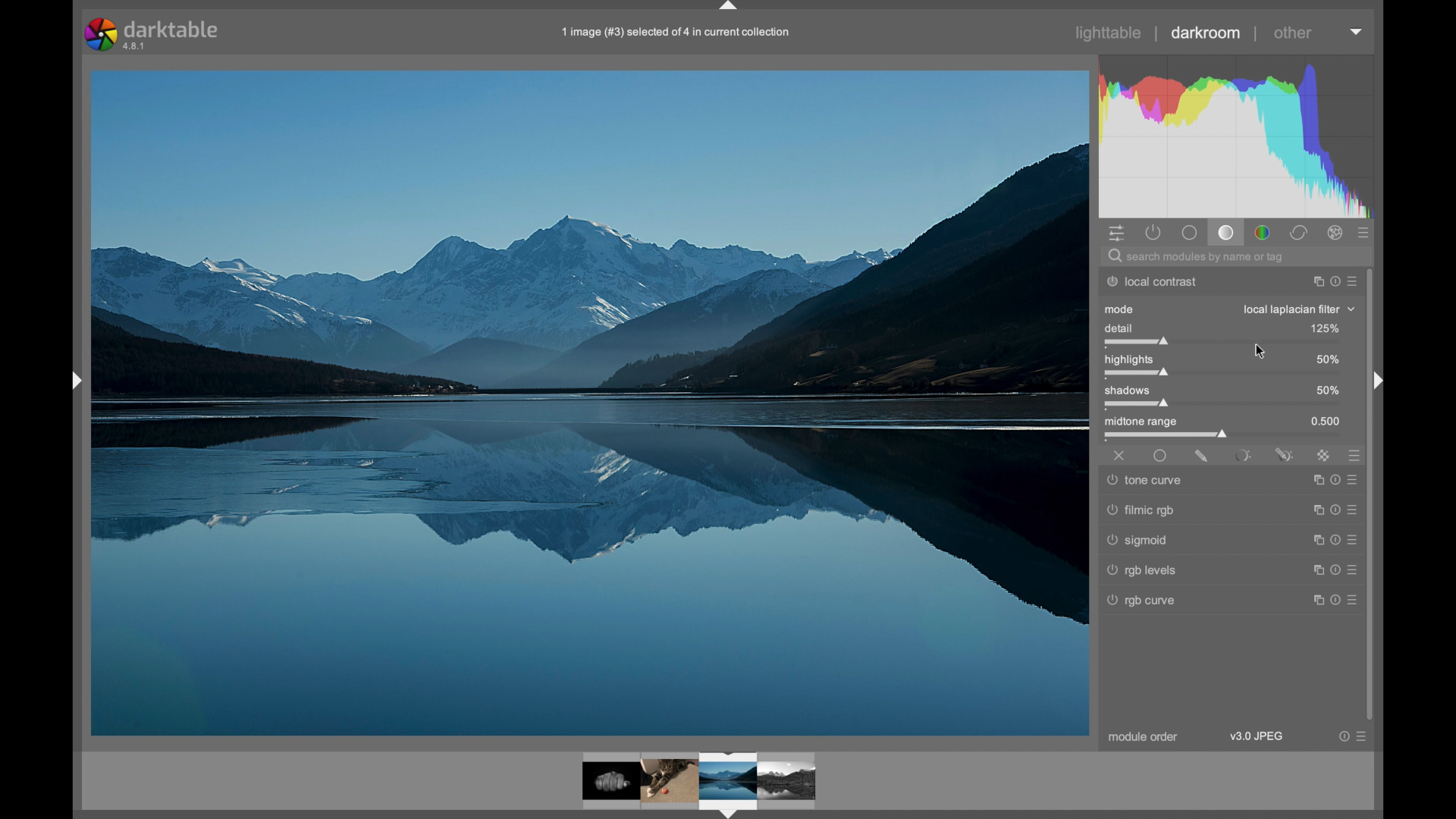 Image resolution: width=1456 pixels, height=819 pixels. What do you see at coordinates (1128, 390) in the screenshot?
I see `shadows` at bounding box center [1128, 390].